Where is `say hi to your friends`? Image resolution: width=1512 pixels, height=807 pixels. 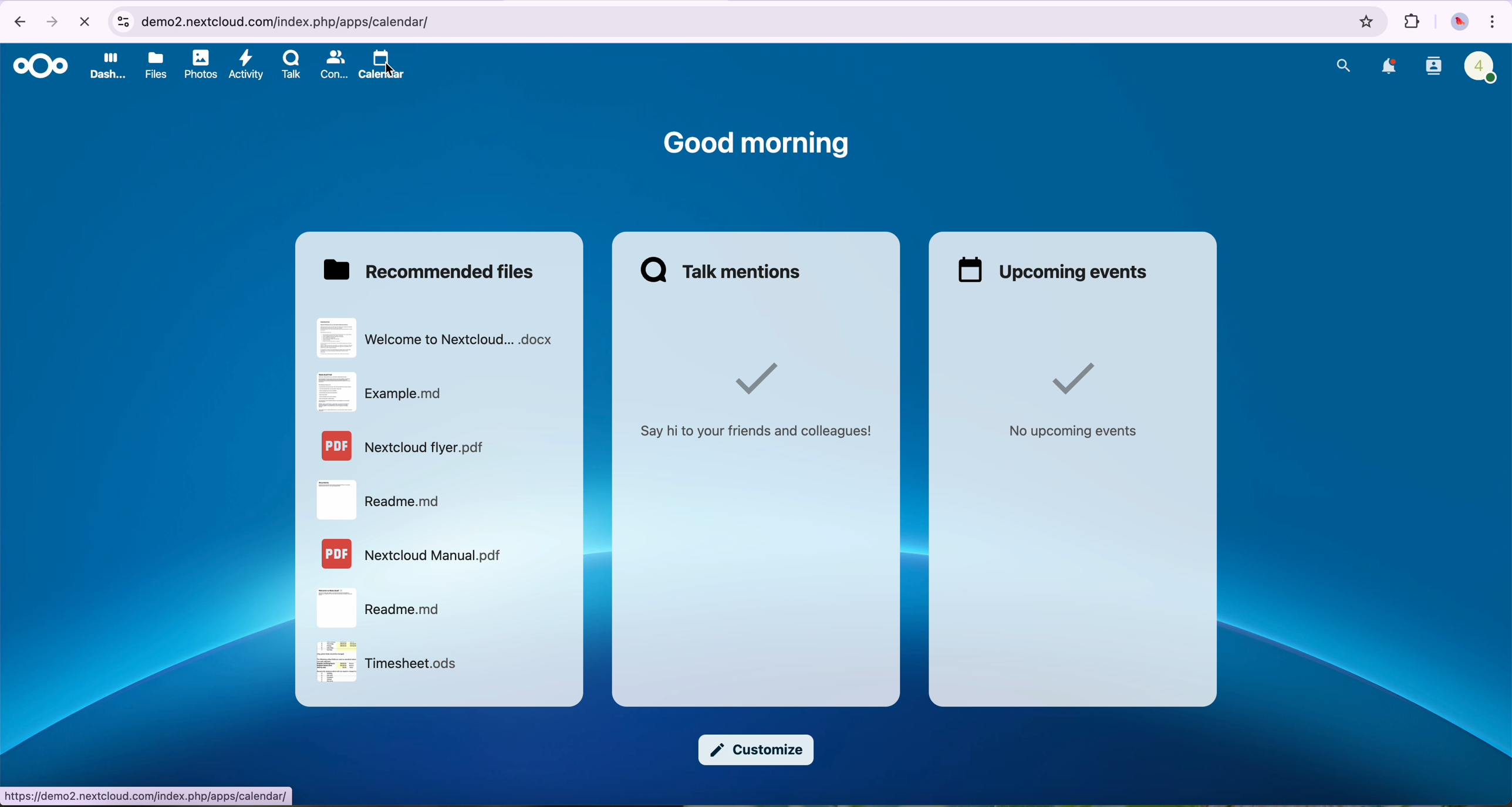
say hi to your friends is located at coordinates (764, 403).